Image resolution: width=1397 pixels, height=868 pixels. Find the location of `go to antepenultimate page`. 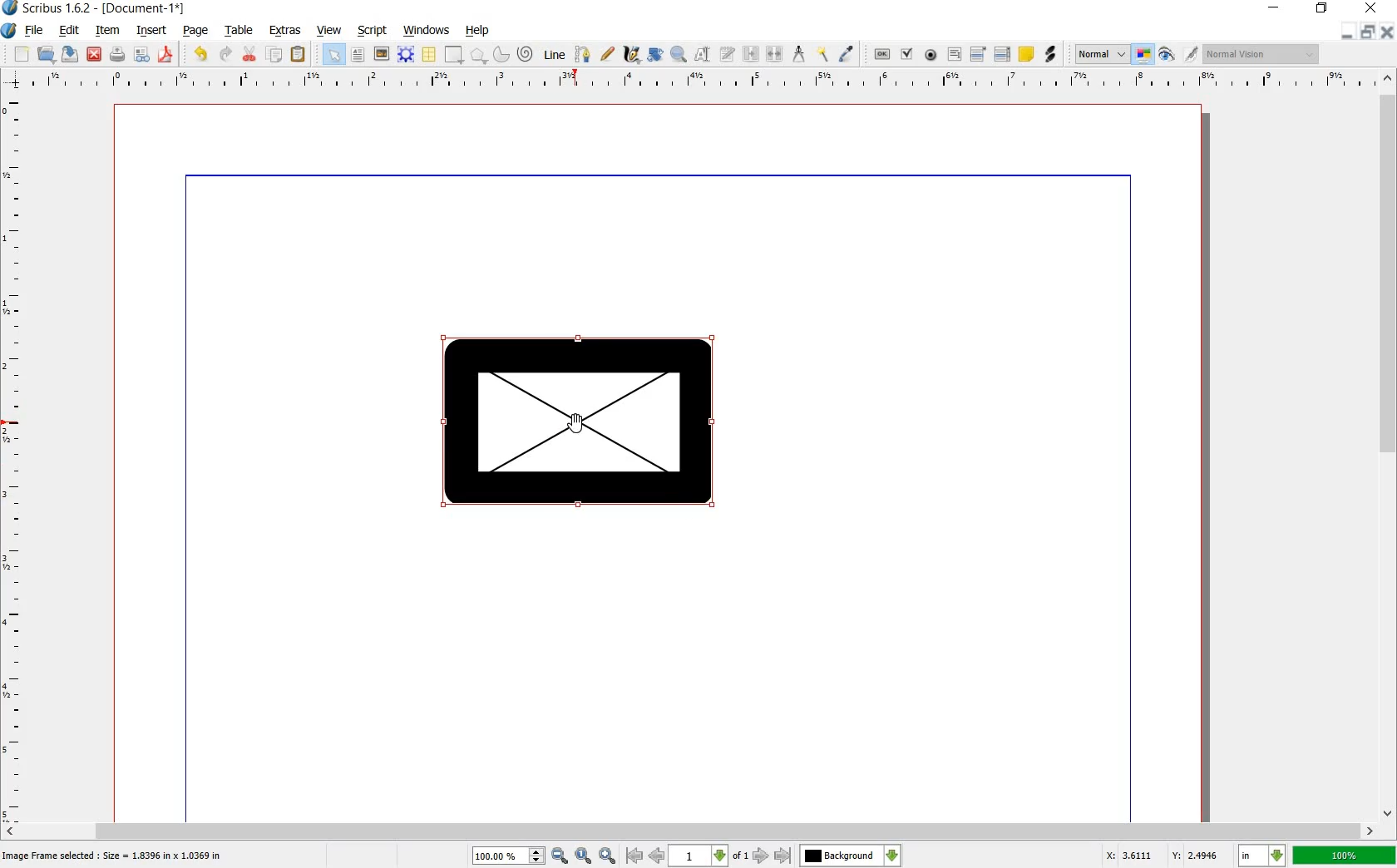

go to antepenultimate page is located at coordinates (634, 856).